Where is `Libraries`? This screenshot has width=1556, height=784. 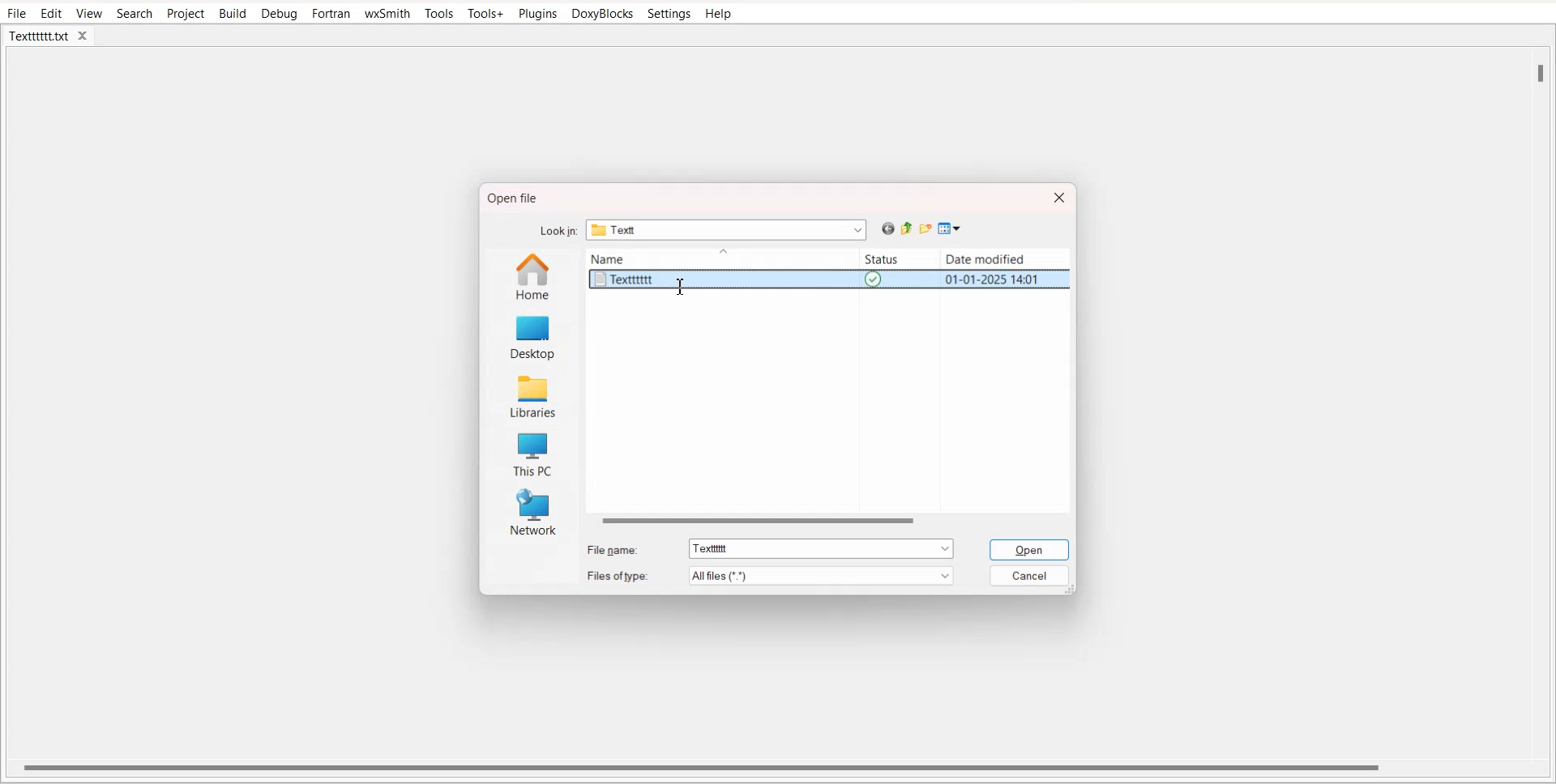 Libraries is located at coordinates (535, 394).